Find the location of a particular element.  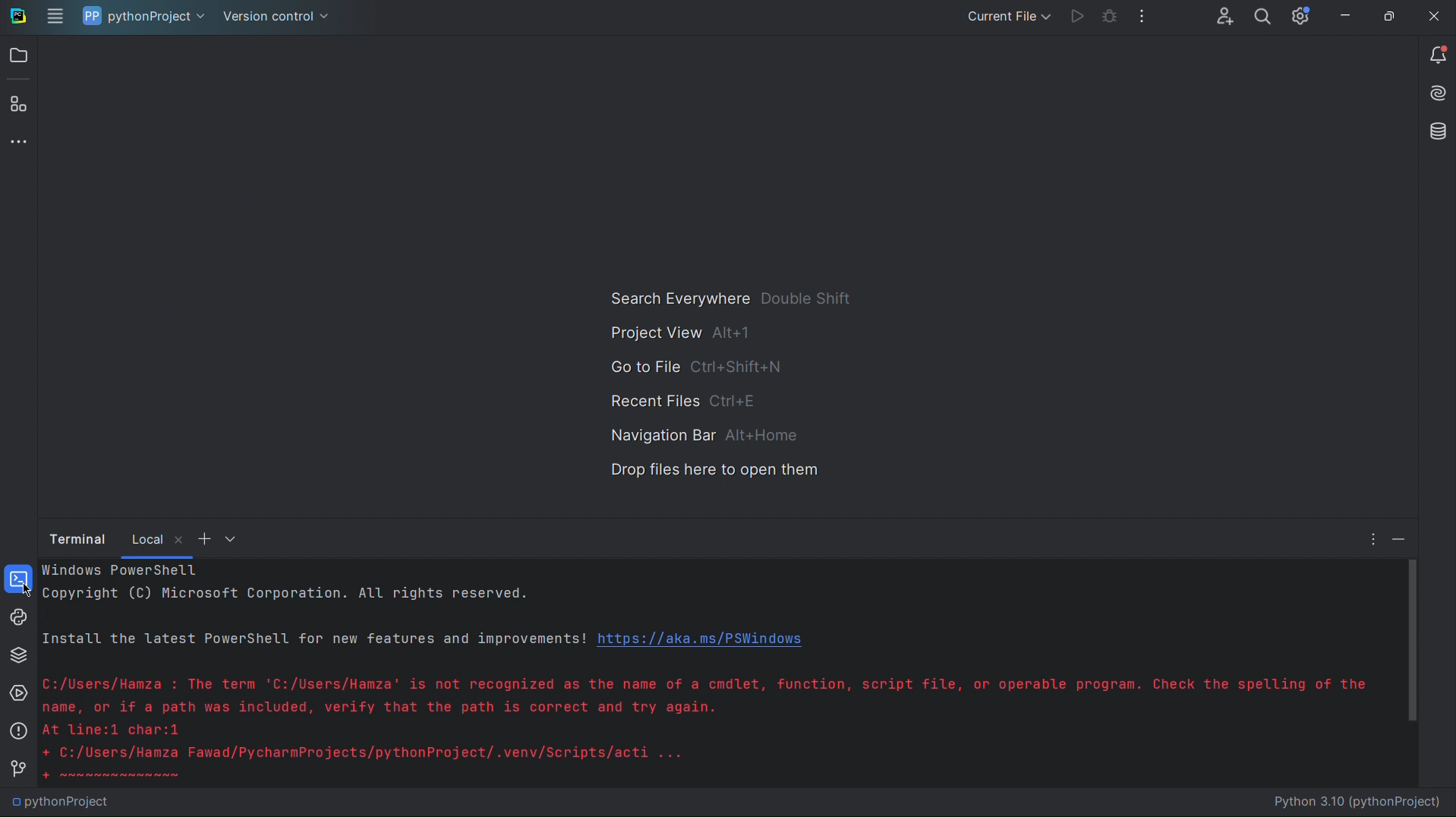

Codes is located at coordinates (719, 675).